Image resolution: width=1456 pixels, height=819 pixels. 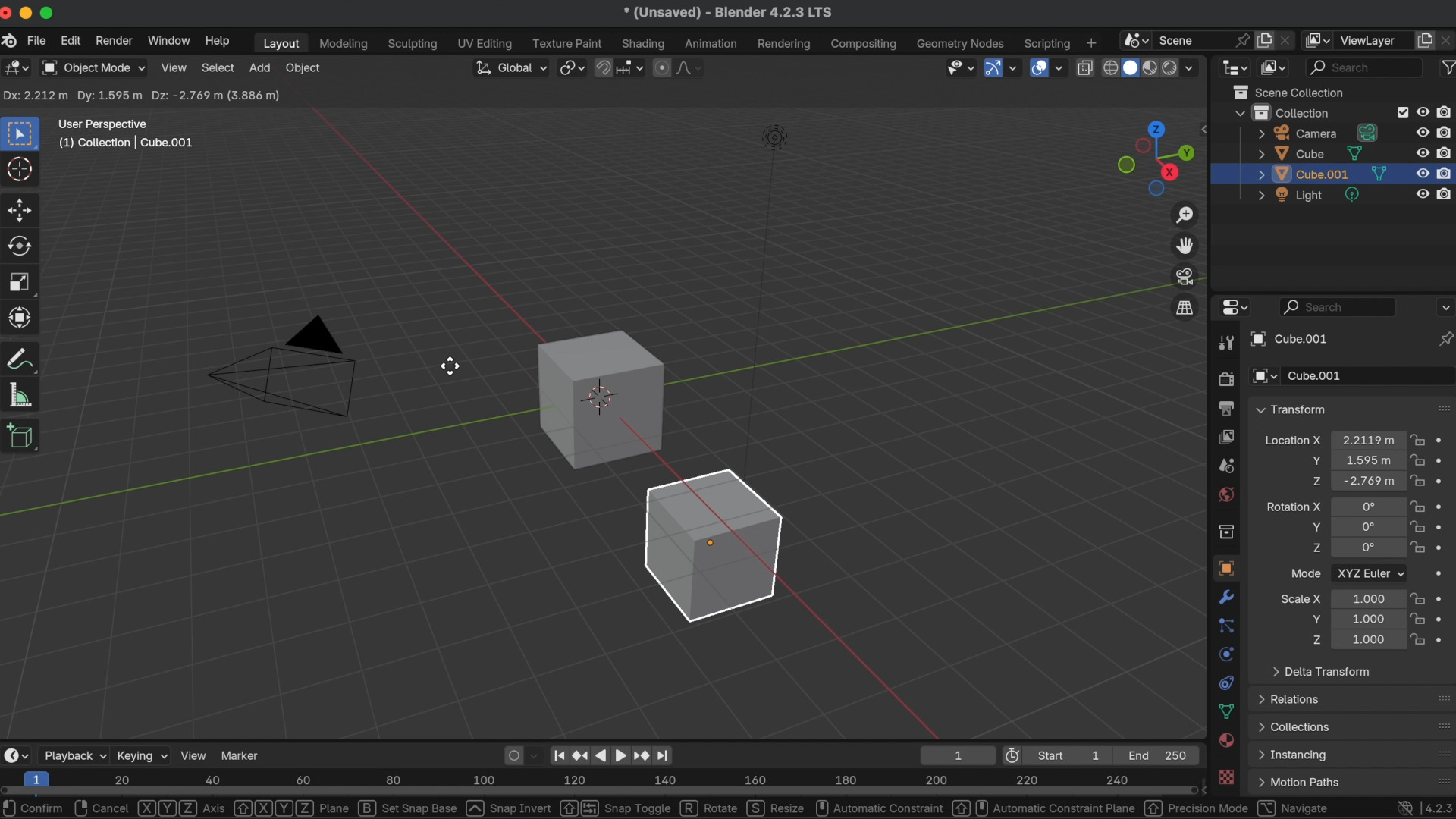 I want to click on Duplicated cube, so click(x=715, y=545).